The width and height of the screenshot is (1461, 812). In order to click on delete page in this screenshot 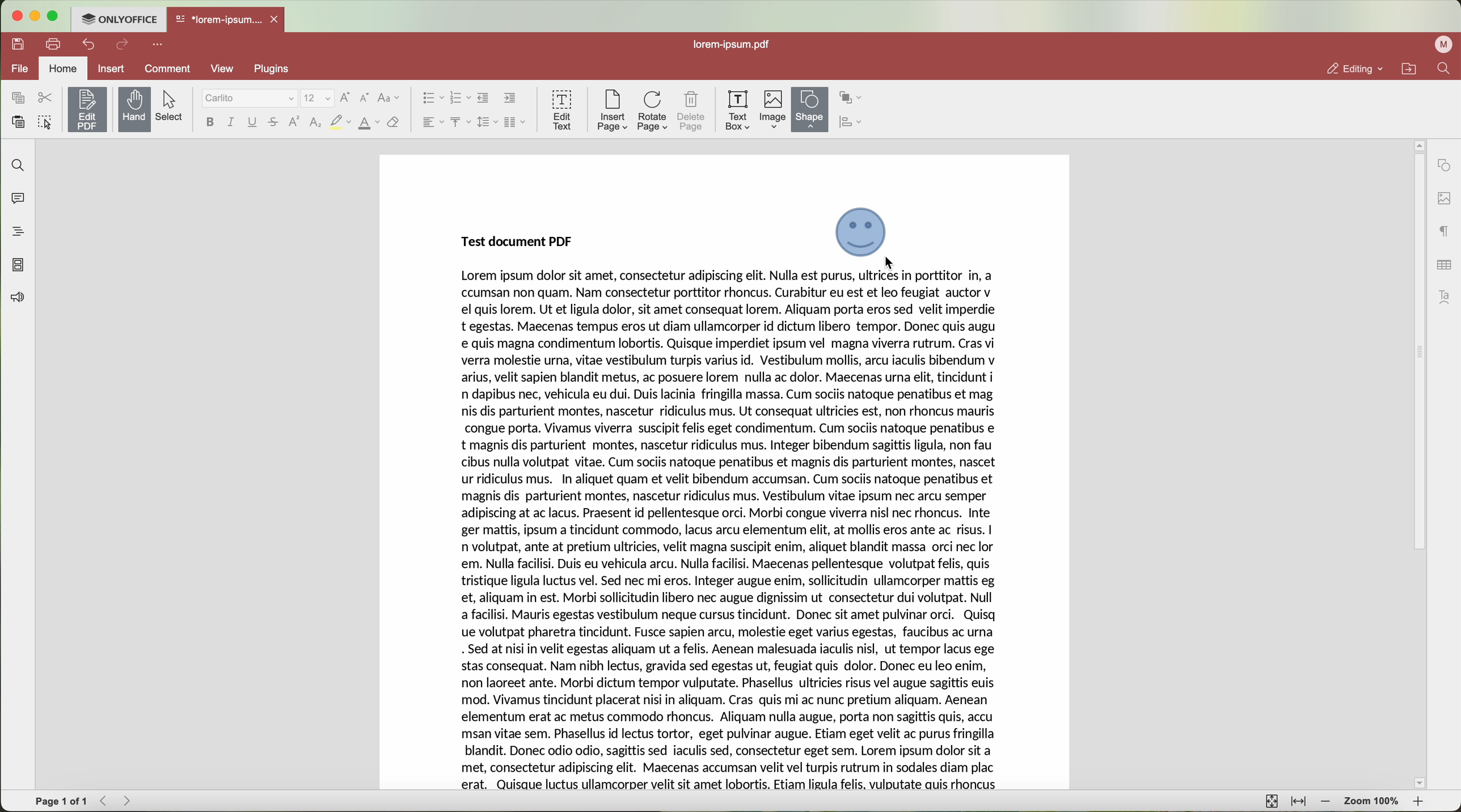, I will do `click(693, 111)`.